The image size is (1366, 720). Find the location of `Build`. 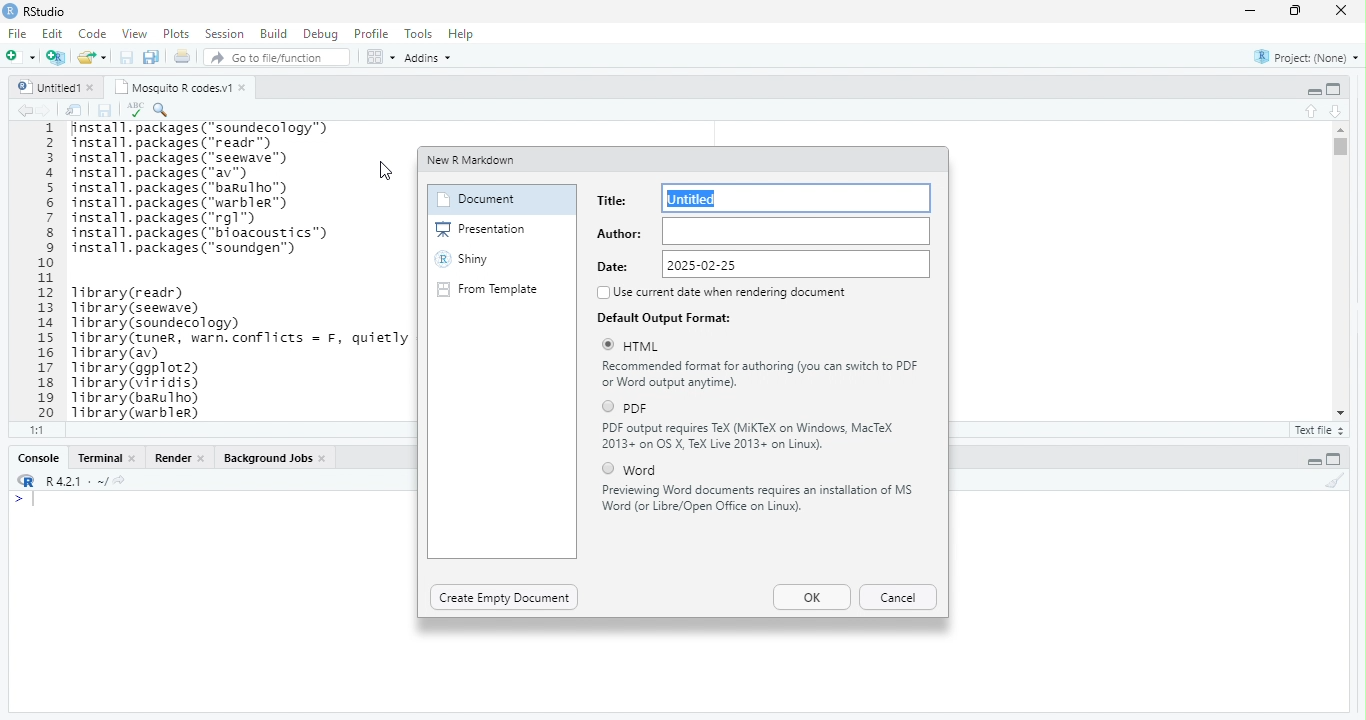

Build is located at coordinates (275, 33).